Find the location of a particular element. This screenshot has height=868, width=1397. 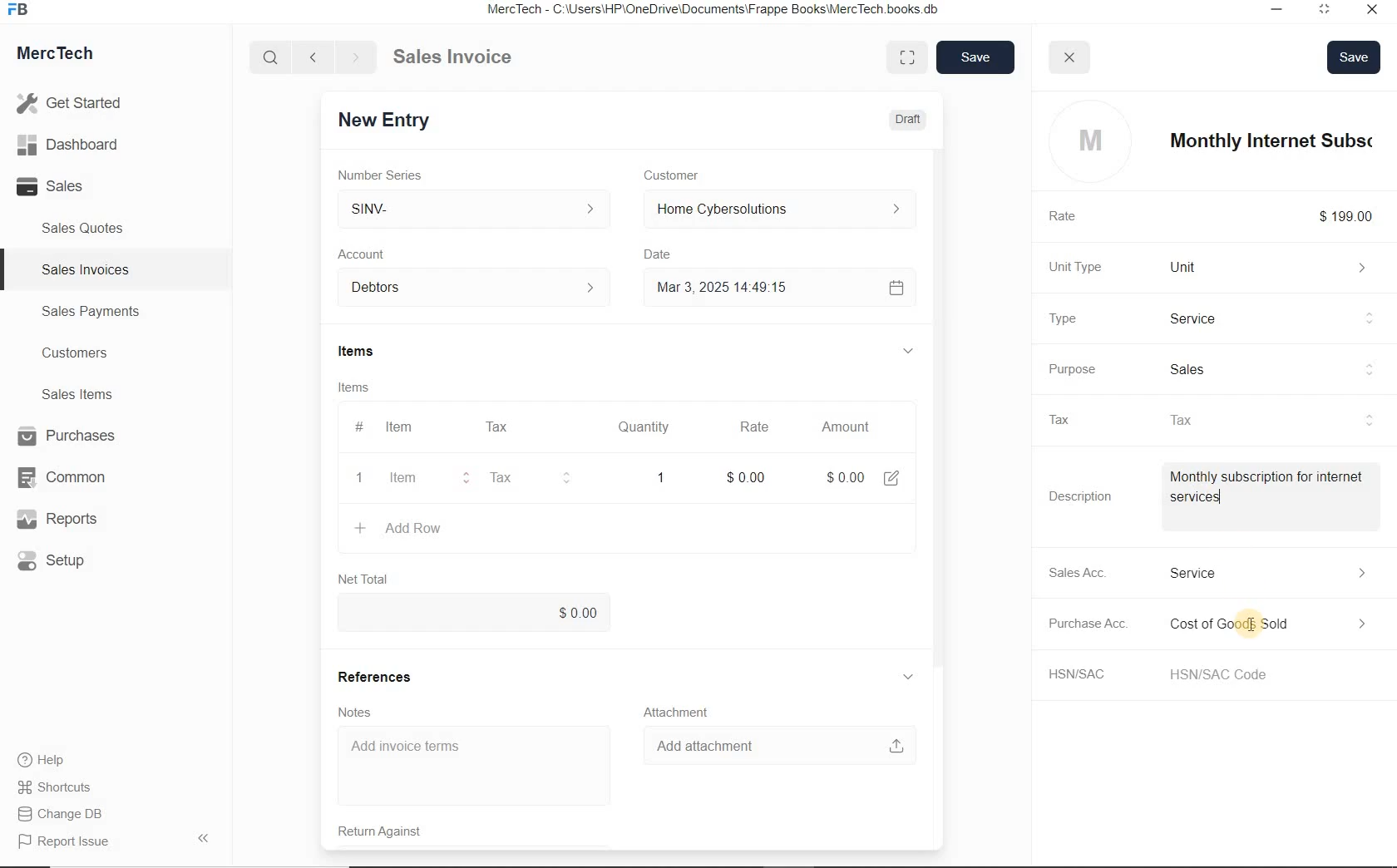

Items is located at coordinates (363, 387).